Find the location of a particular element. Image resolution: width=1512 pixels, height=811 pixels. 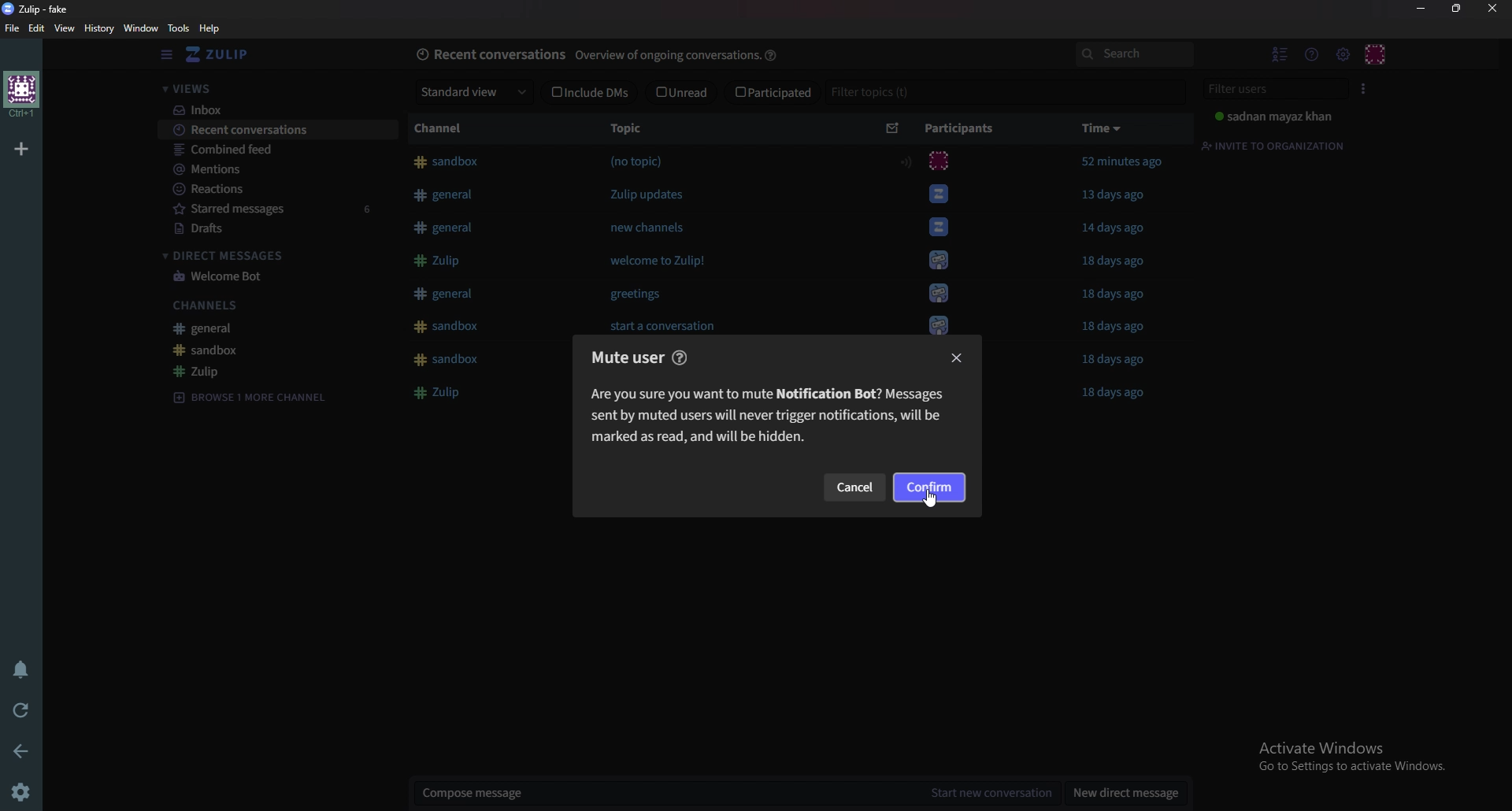

#general is located at coordinates (449, 196).